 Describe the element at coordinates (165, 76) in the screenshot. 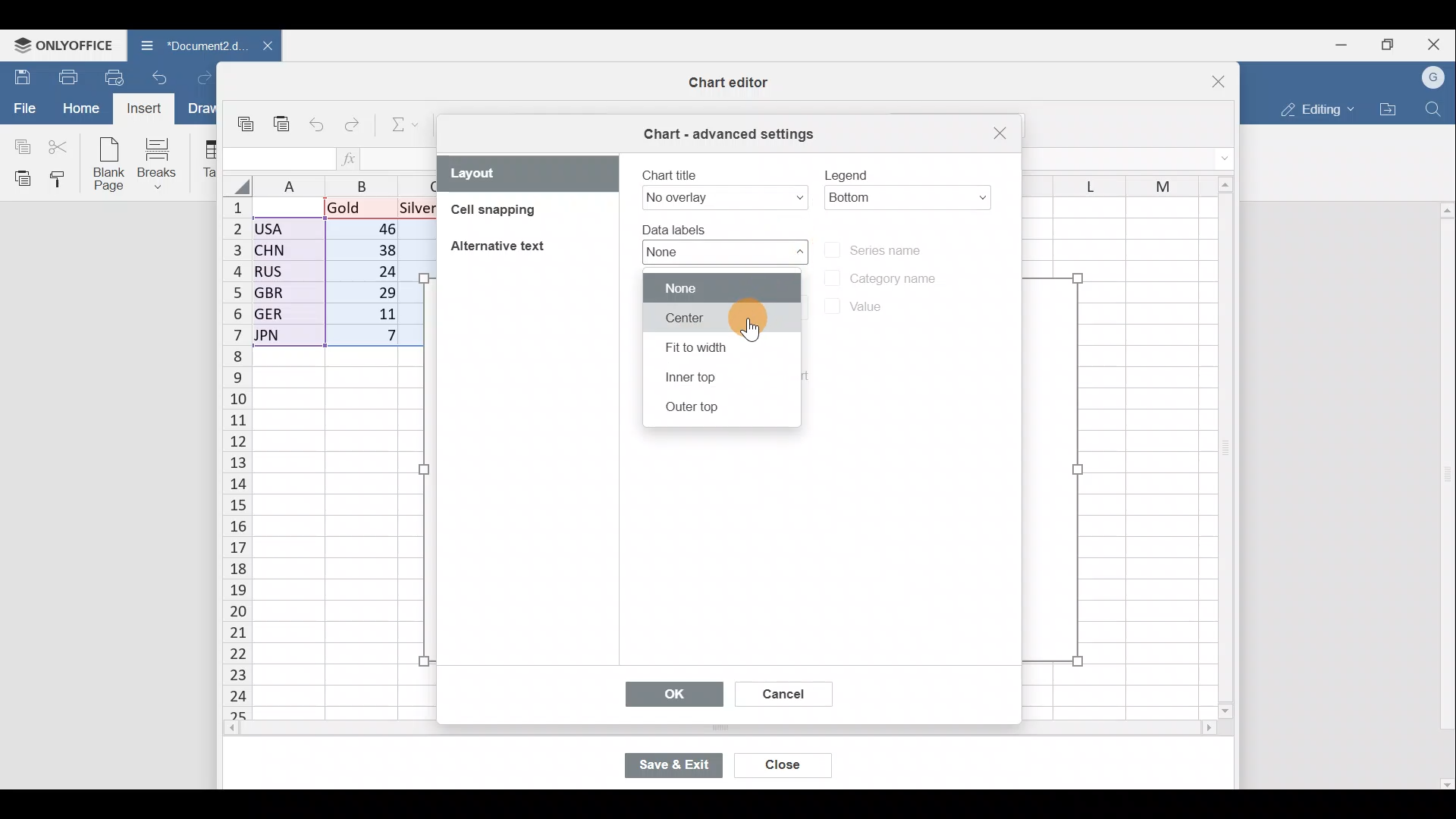

I see `Undo` at that location.